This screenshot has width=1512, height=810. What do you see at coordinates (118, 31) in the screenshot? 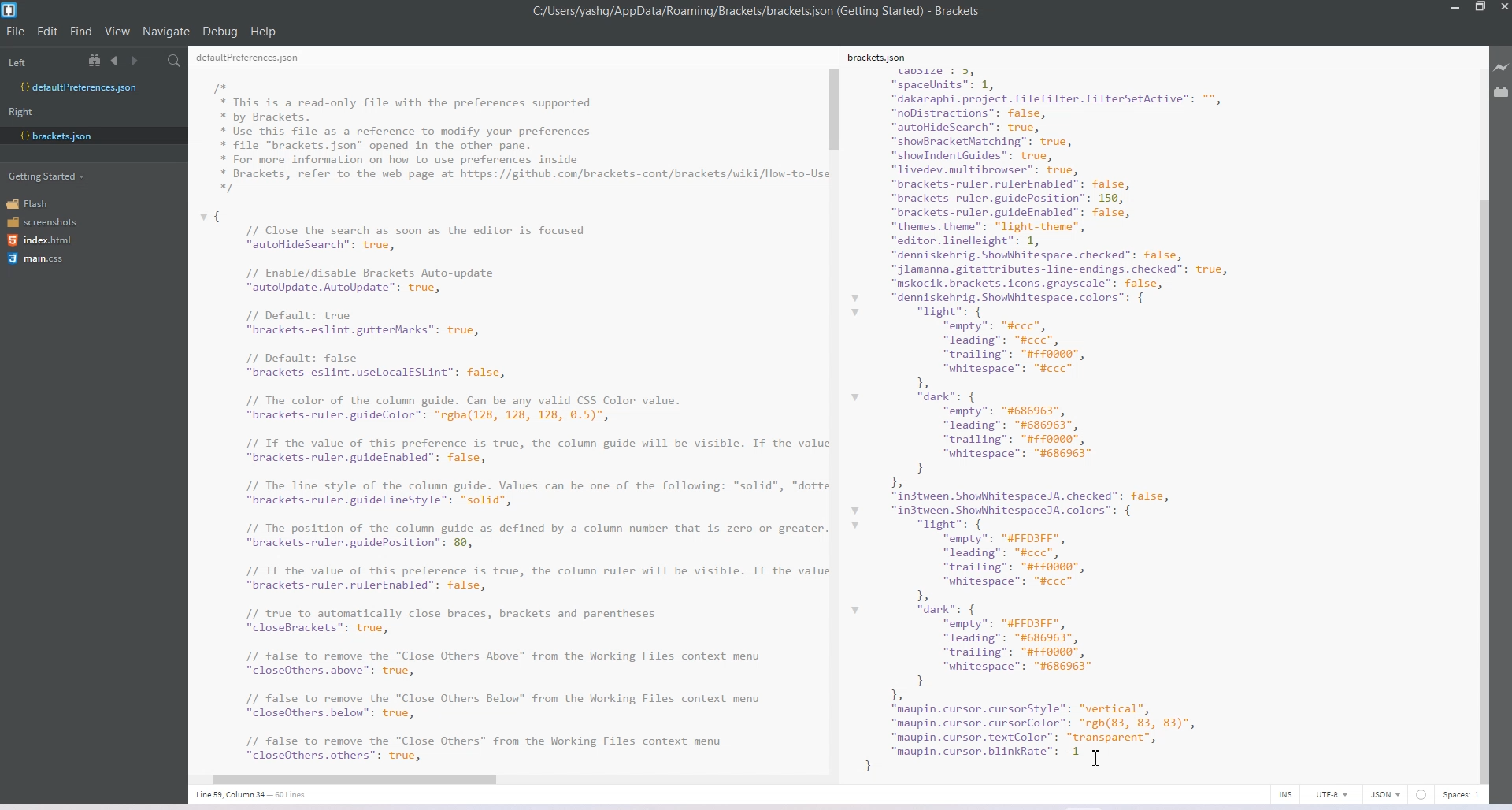
I see `View` at bounding box center [118, 31].